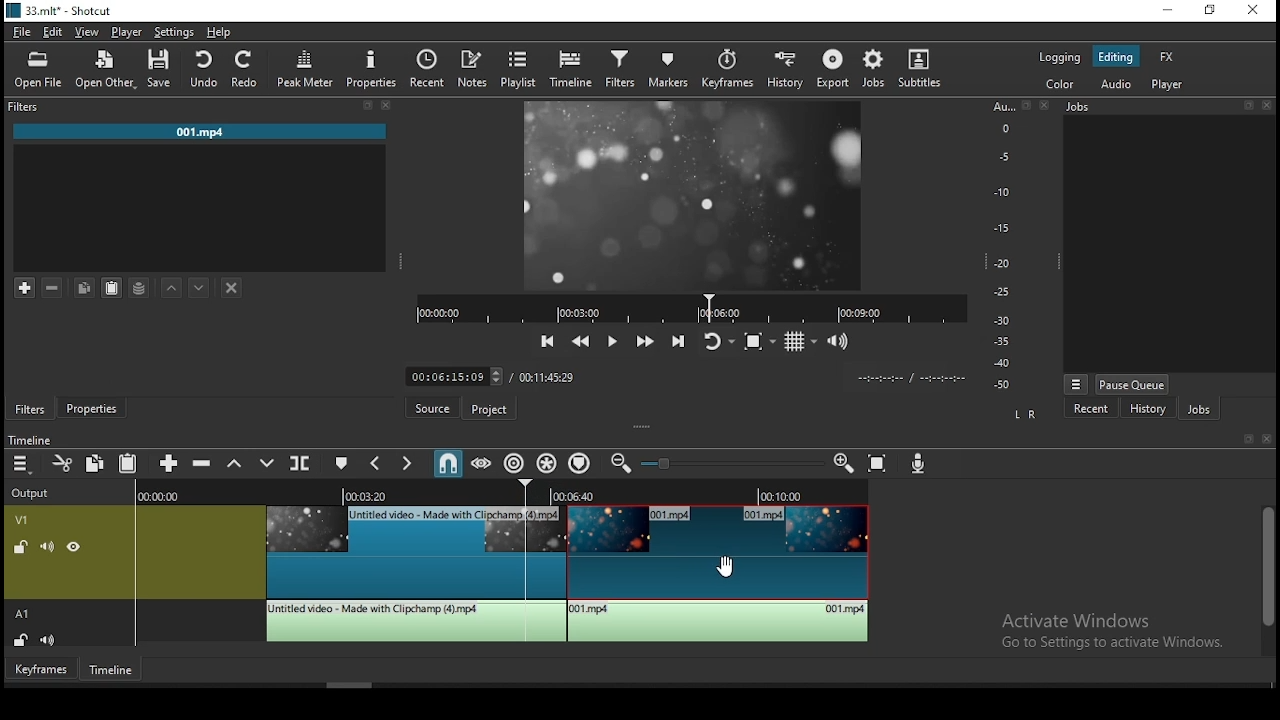 The width and height of the screenshot is (1280, 720). What do you see at coordinates (43, 547) in the screenshot?
I see `(un)mute` at bounding box center [43, 547].